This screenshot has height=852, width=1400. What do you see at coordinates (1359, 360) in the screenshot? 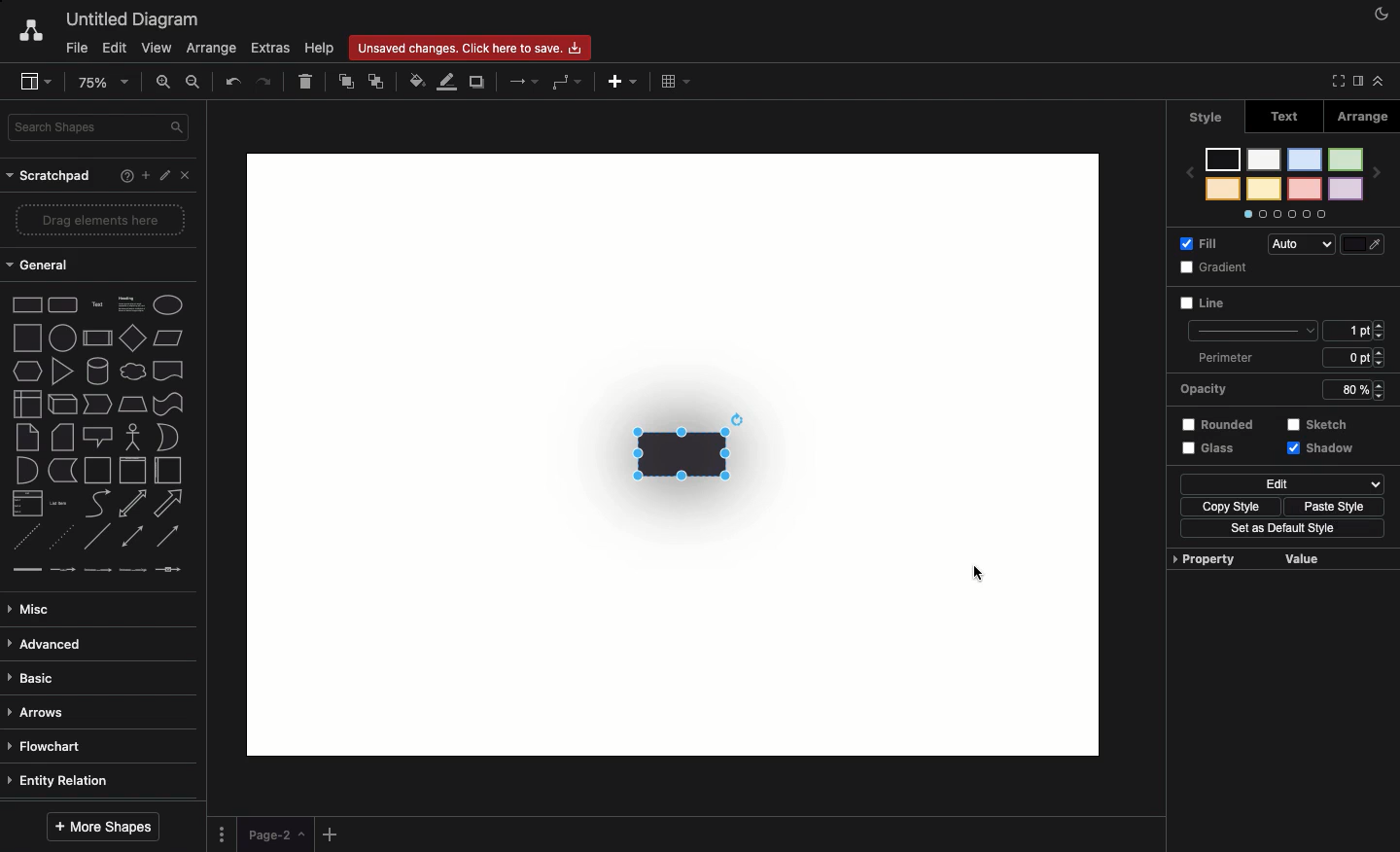
I see `6 ppt` at bounding box center [1359, 360].